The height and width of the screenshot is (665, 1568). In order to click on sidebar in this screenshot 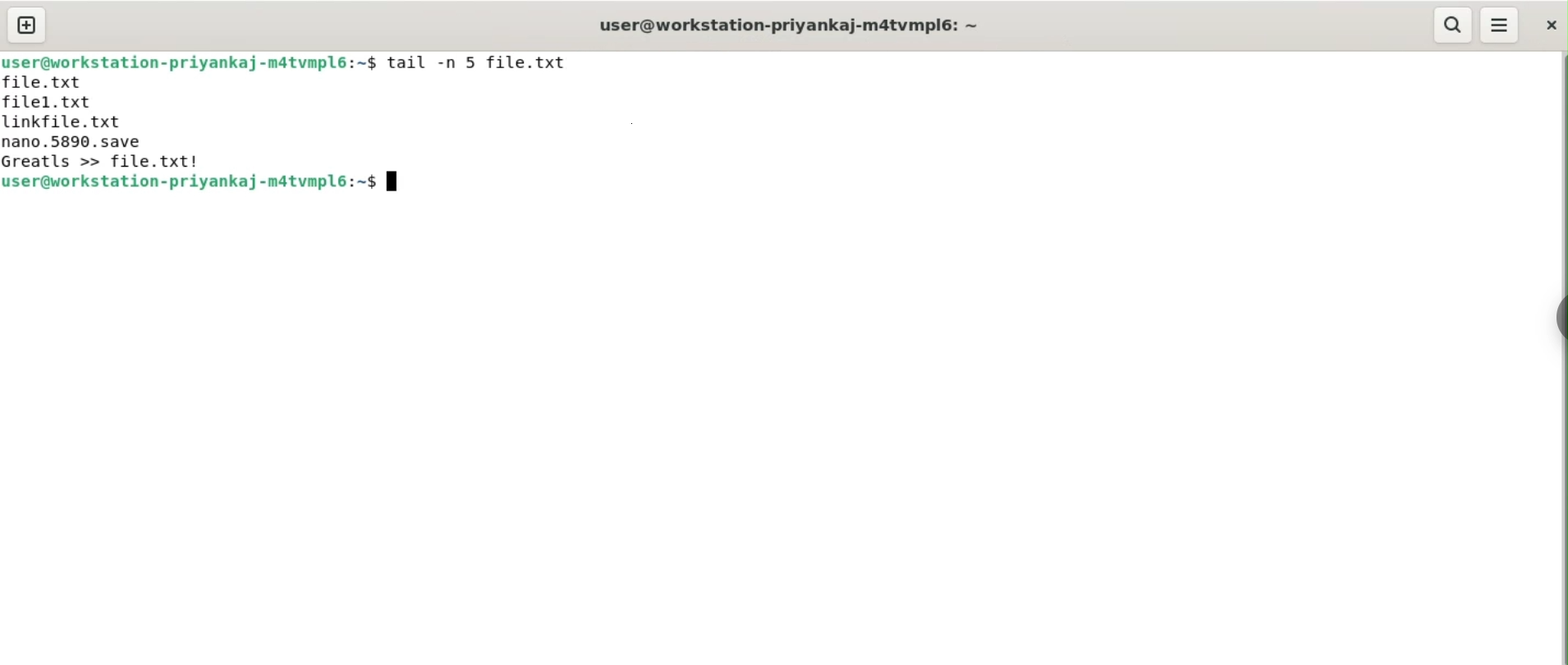, I will do `click(1560, 318)`.